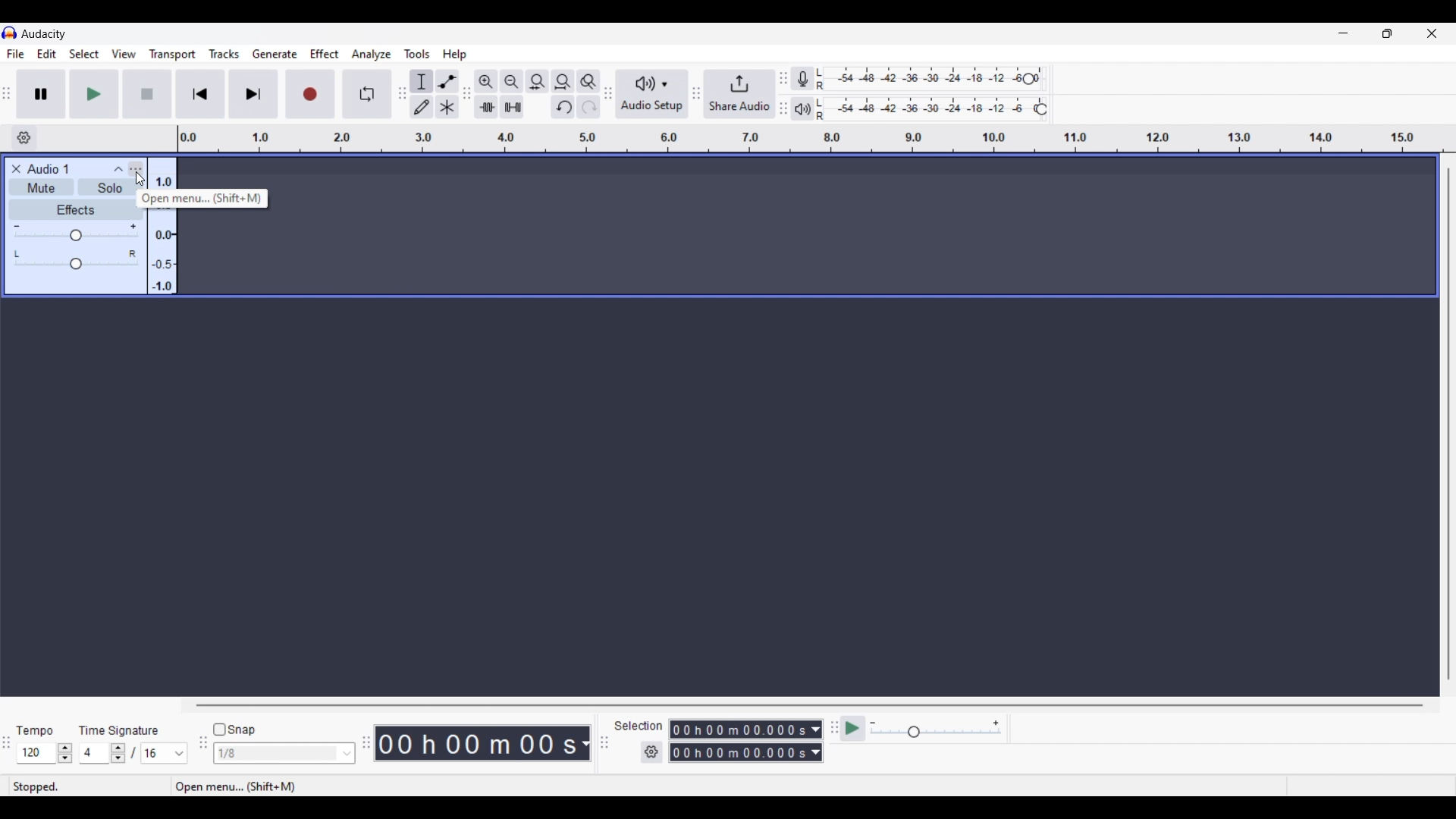 The width and height of the screenshot is (1456, 819). I want to click on Audio intensity, so click(162, 251).